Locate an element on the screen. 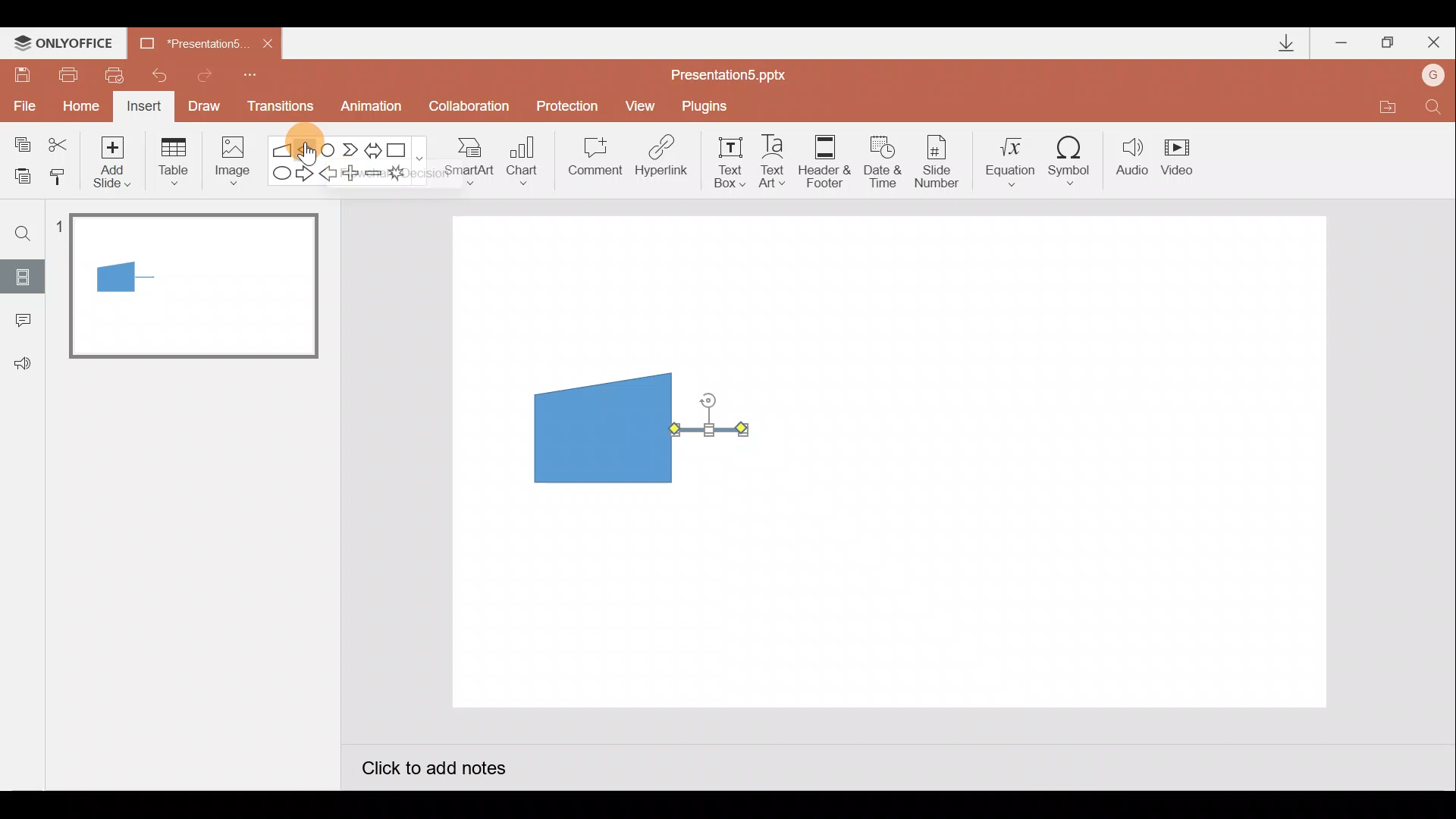 This screenshot has height=819, width=1456. Cursor is located at coordinates (306, 143).